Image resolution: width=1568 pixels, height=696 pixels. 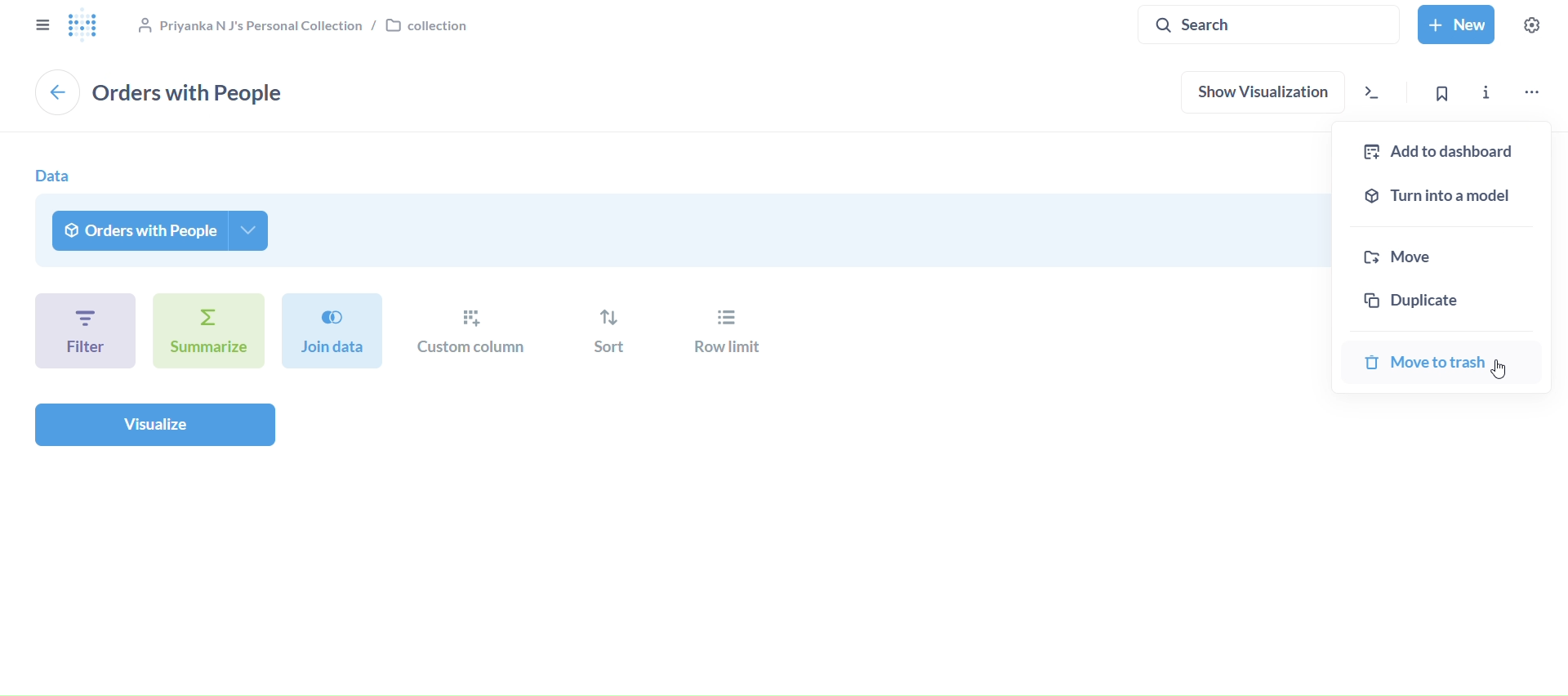 What do you see at coordinates (1459, 24) in the screenshot?
I see `New` at bounding box center [1459, 24].